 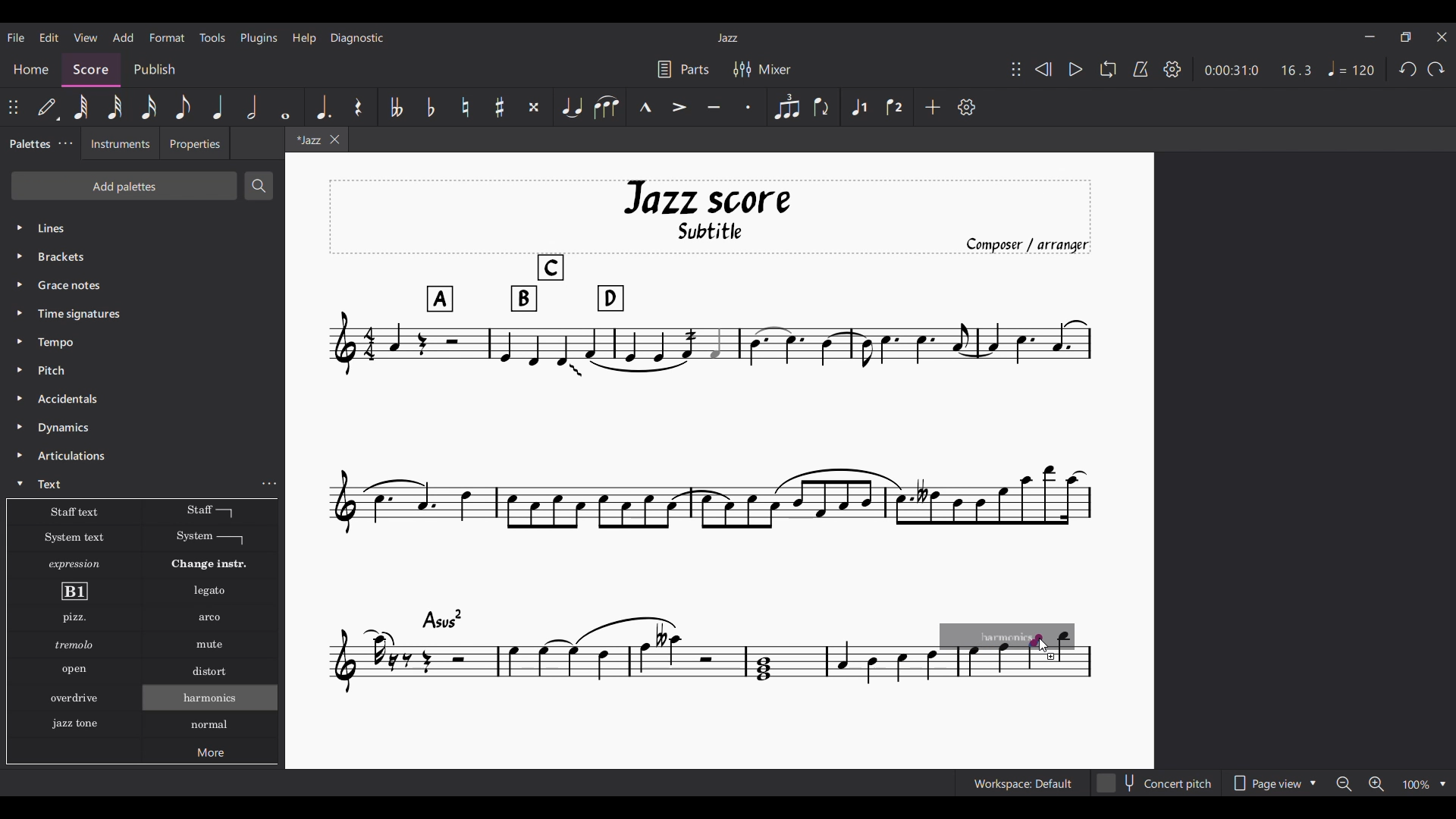 What do you see at coordinates (114, 107) in the screenshot?
I see `32nd note` at bounding box center [114, 107].